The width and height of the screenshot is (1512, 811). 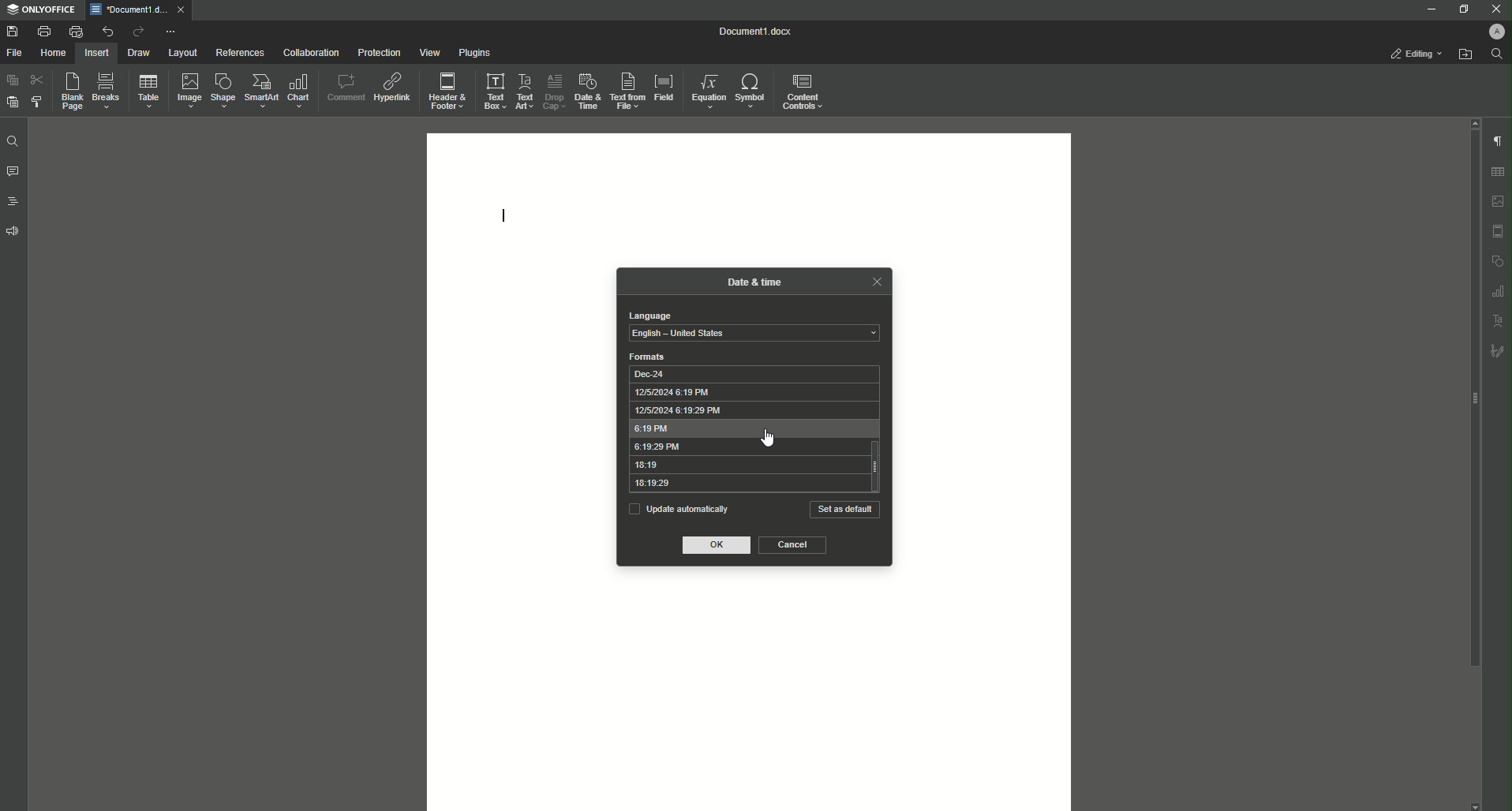 What do you see at coordinates (128, 9) in the screenshot?
I see `*Document1.docx` at bounding box center [128, 9].